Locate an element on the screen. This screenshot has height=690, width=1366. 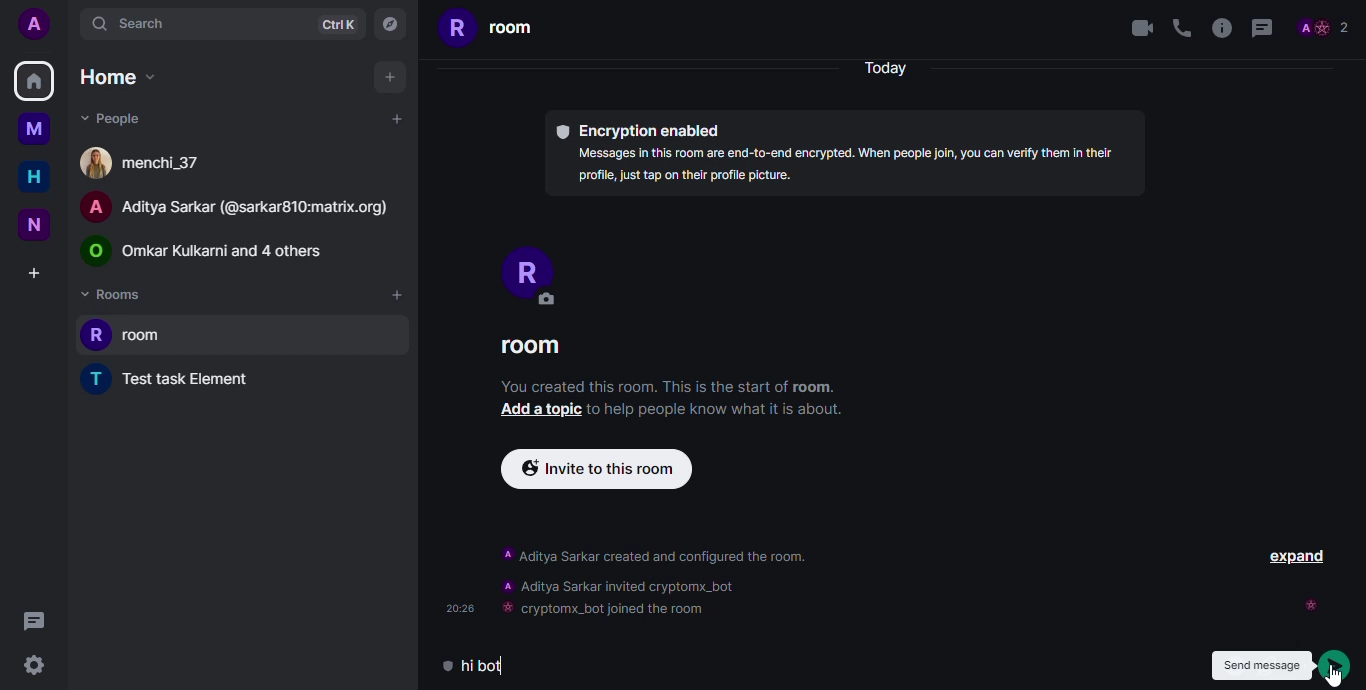
PROFILE is located at coordinates (548, 277).